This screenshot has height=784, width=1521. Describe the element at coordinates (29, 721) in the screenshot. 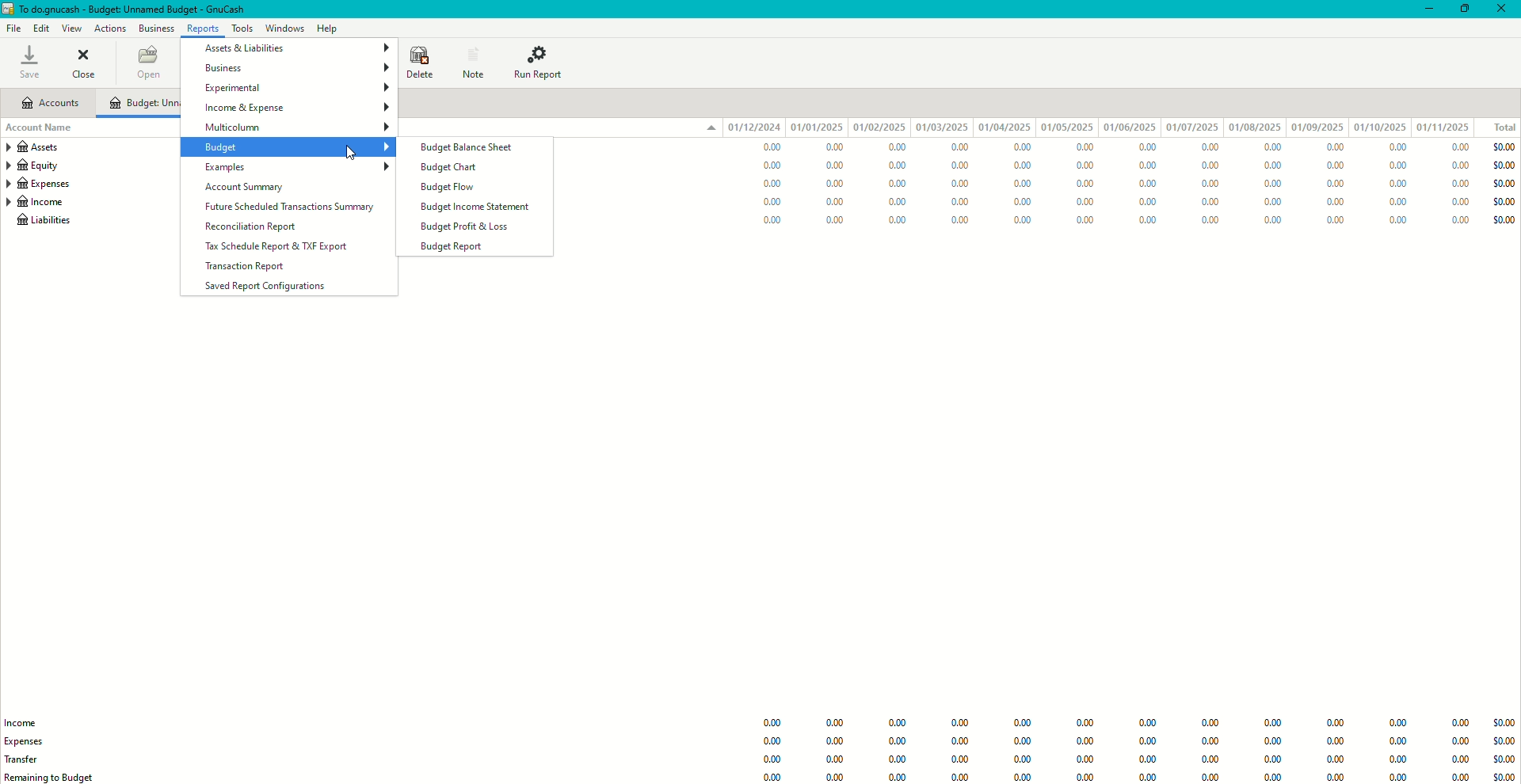

I see `Income` at that location.